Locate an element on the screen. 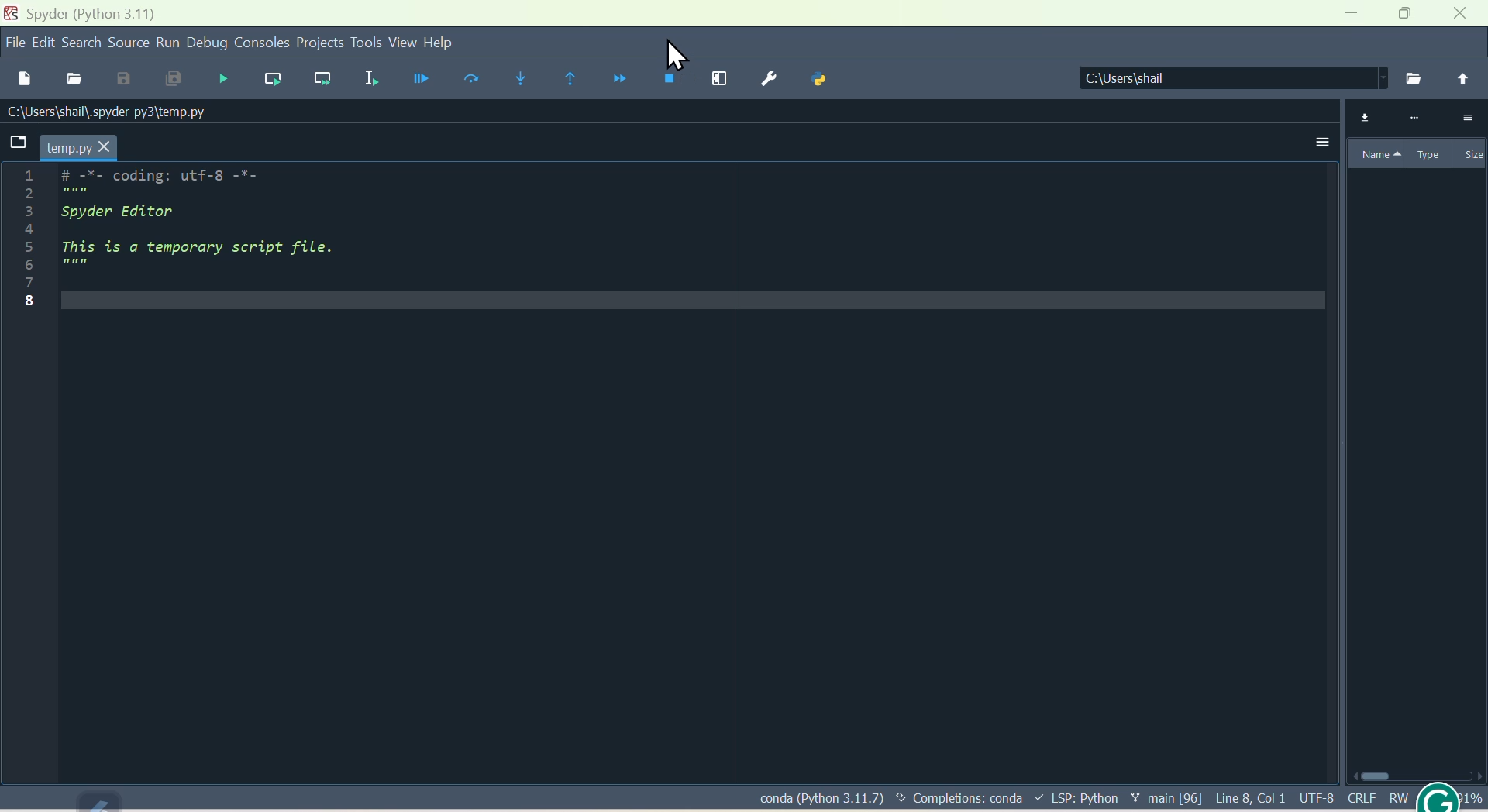 The image size is (1488, 812). Run cell is located at coordinates (472, 83).